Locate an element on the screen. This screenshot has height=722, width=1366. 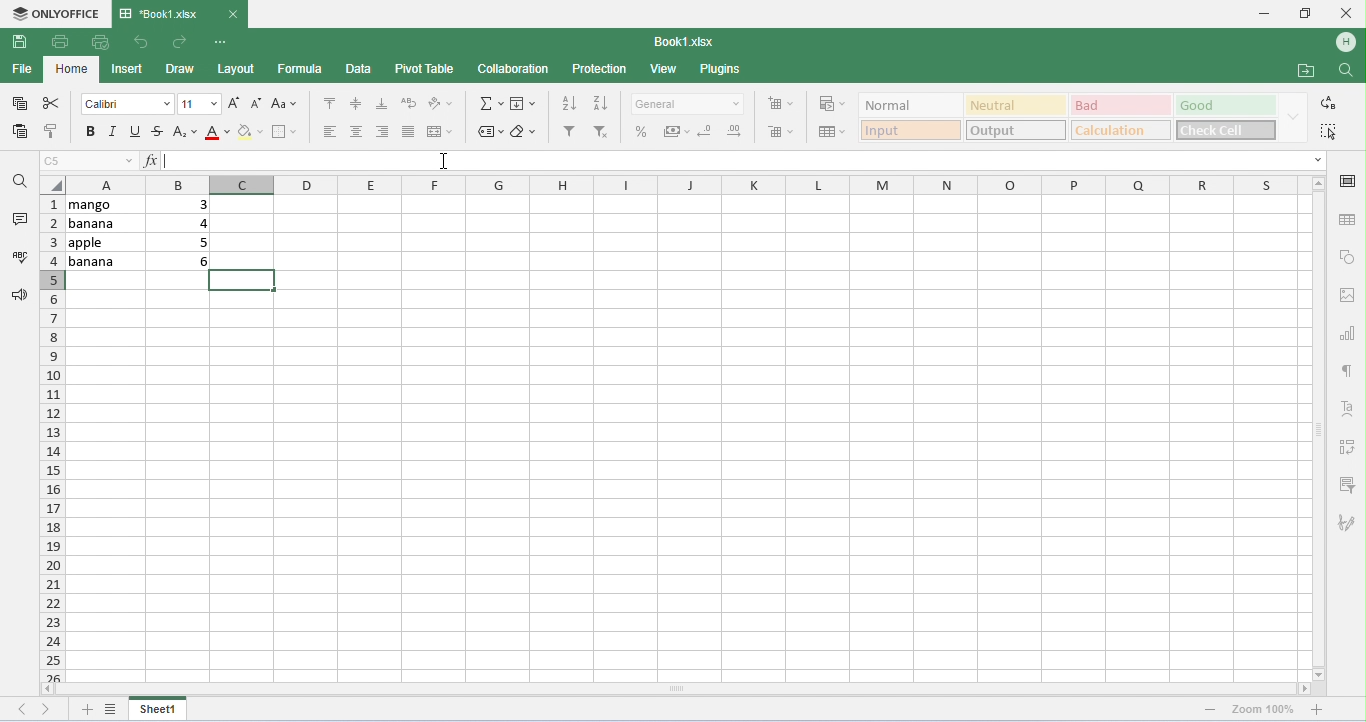
accounting style is located at coordinates (677, 133).